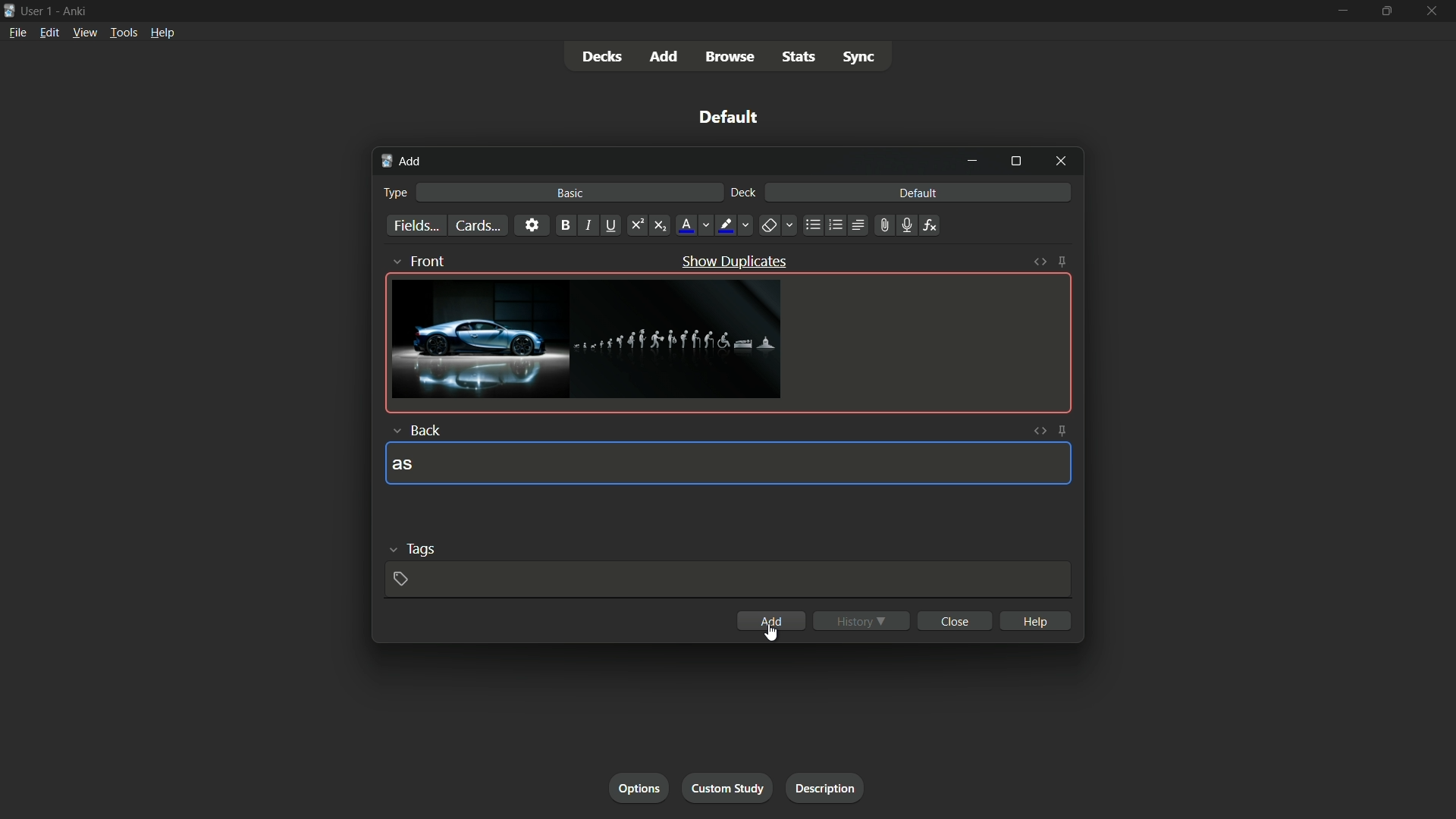 The height and width of the screenshot is (819, 1456). What do you see at coordinates (885, 224) in the screenshot?
I see `attachment` at bounding box center [885, 224].